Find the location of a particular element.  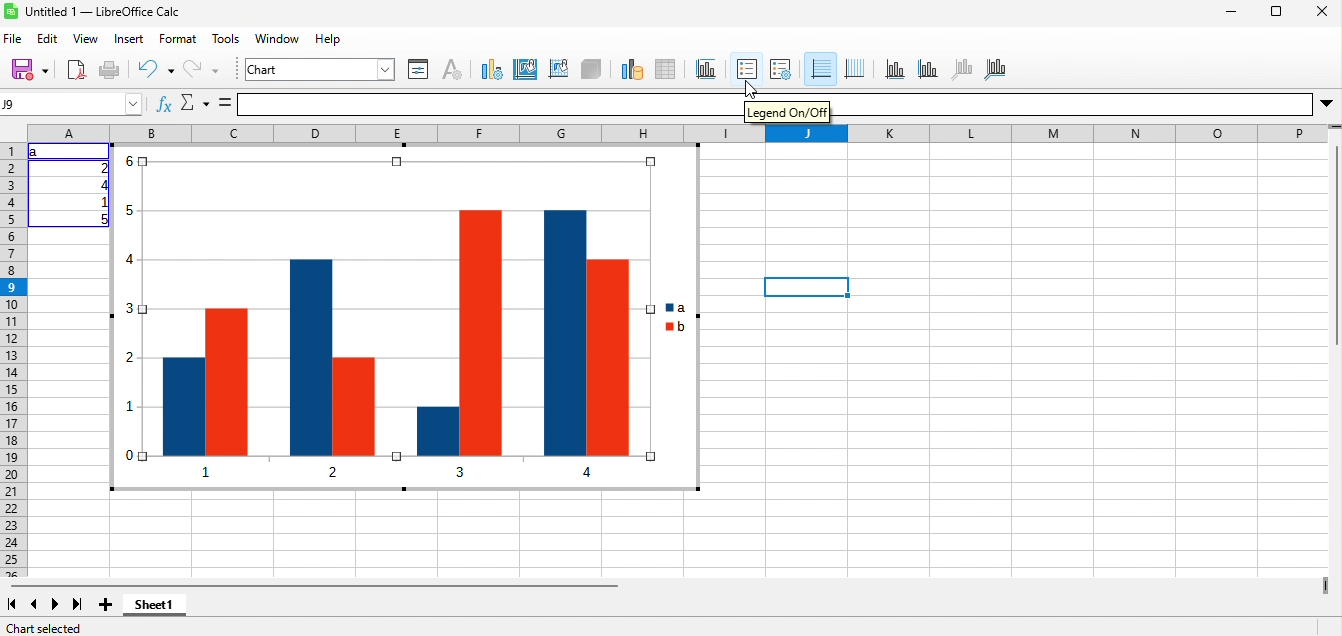

print is located at coordinates (110, 71).